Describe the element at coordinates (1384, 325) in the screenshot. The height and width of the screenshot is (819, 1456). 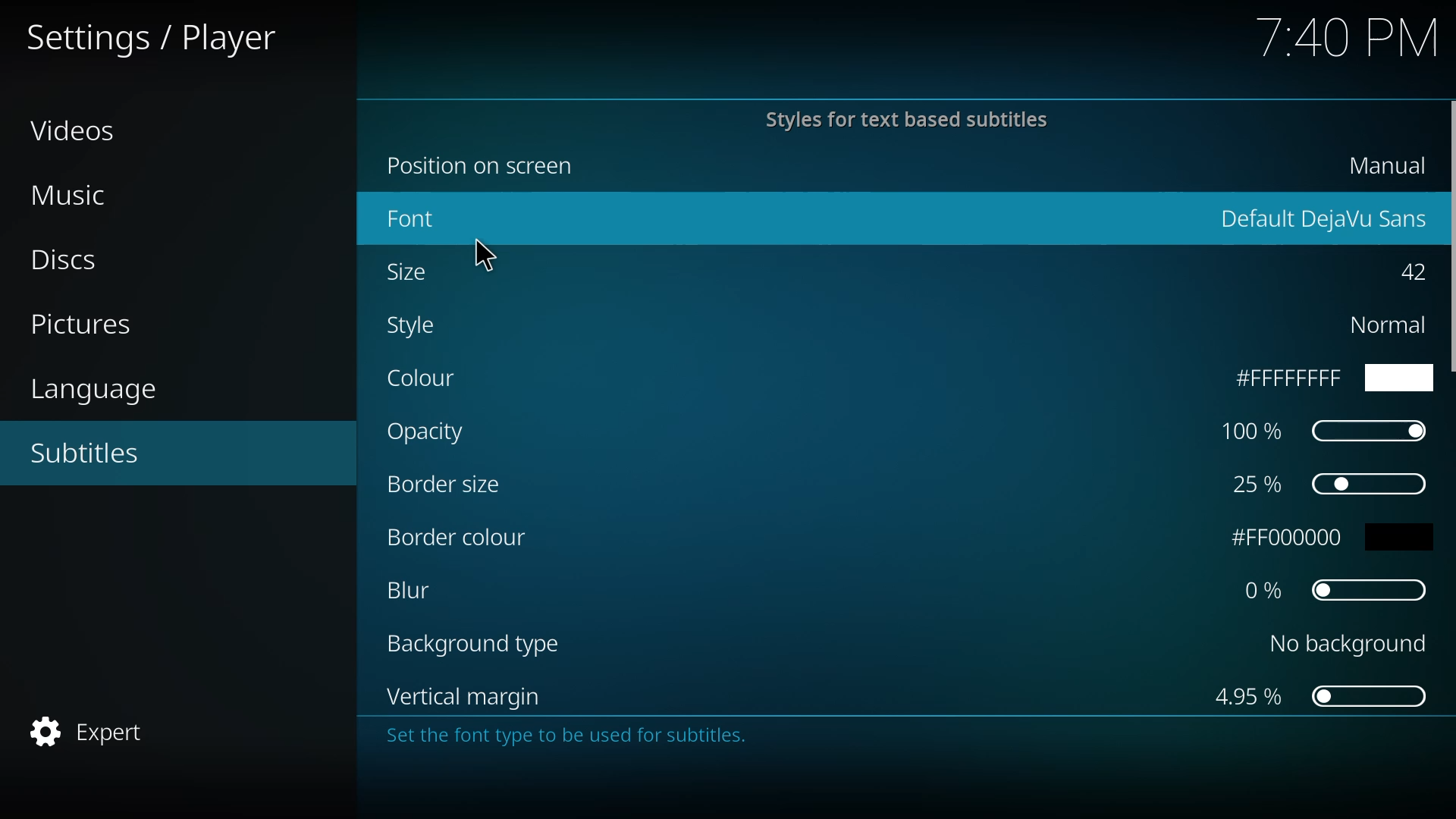
I see `normal` at that location.